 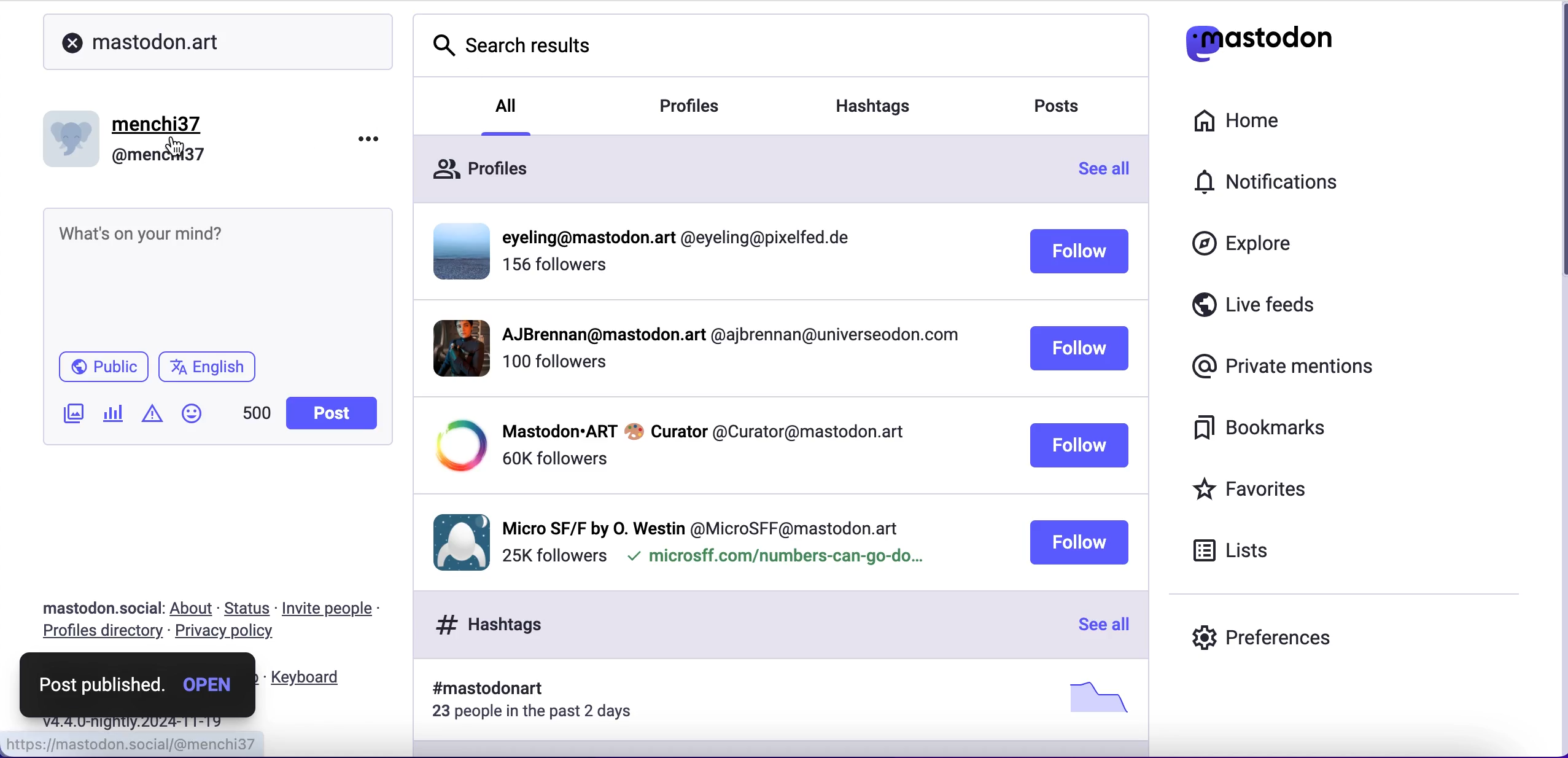 What do you see at coordinates (99, 367) in the screenshot?
I see `public` at bounding box center [99, 367].